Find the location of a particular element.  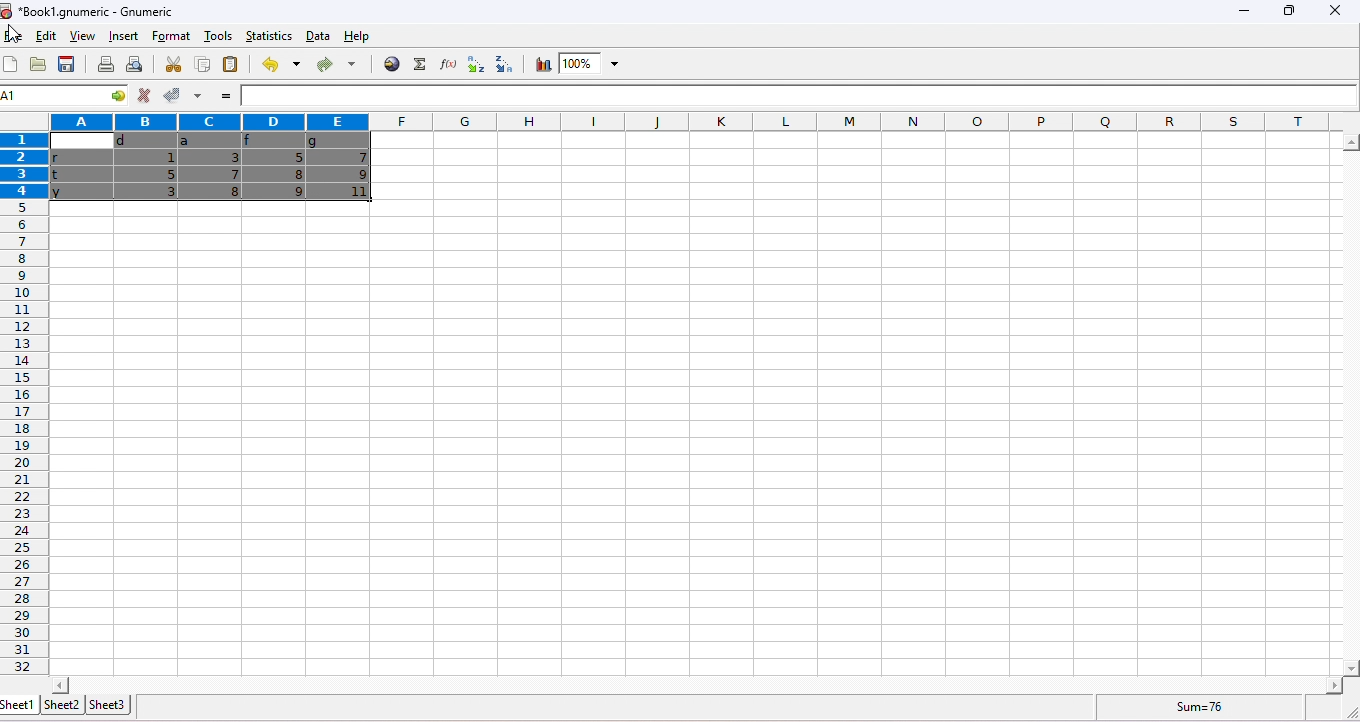

file is located at coordinates (14, 37).